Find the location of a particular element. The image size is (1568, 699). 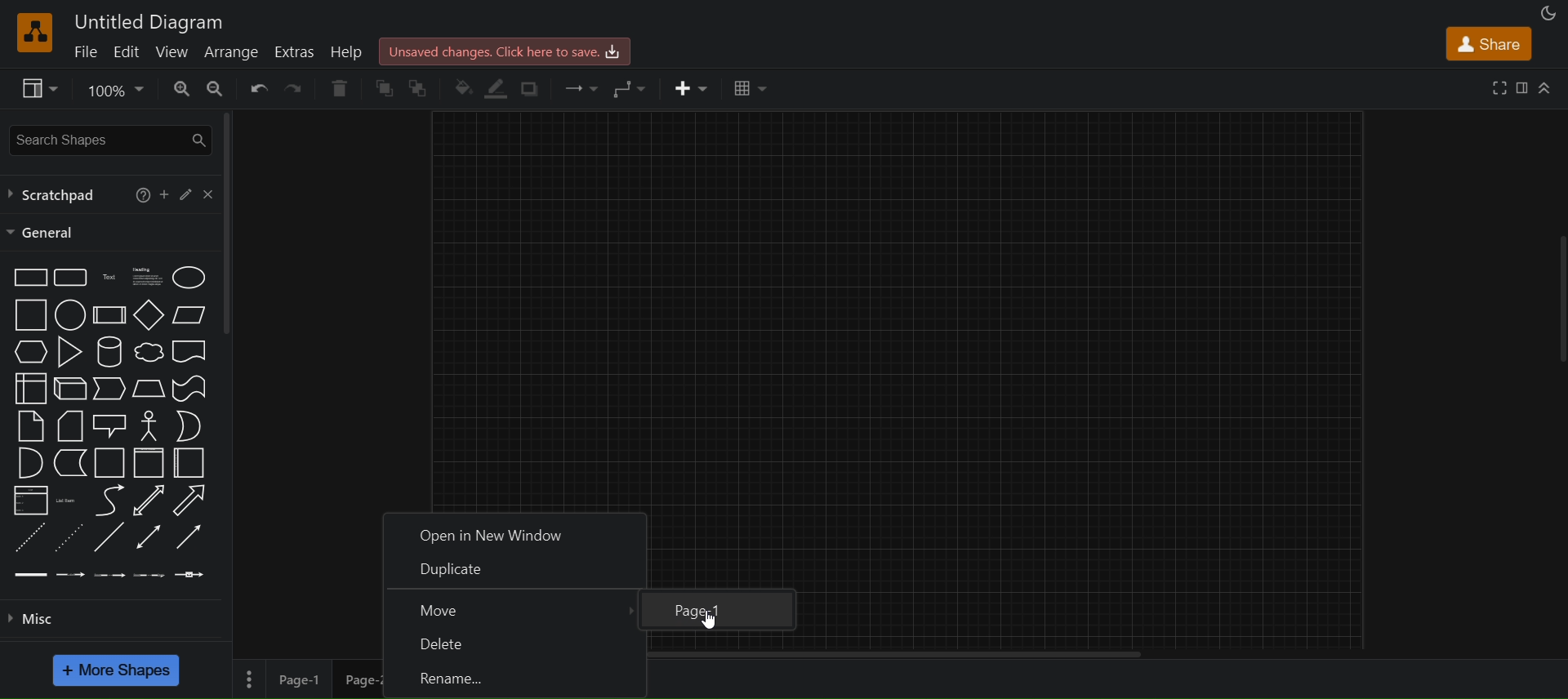

move is located at coordinates (512, 607).